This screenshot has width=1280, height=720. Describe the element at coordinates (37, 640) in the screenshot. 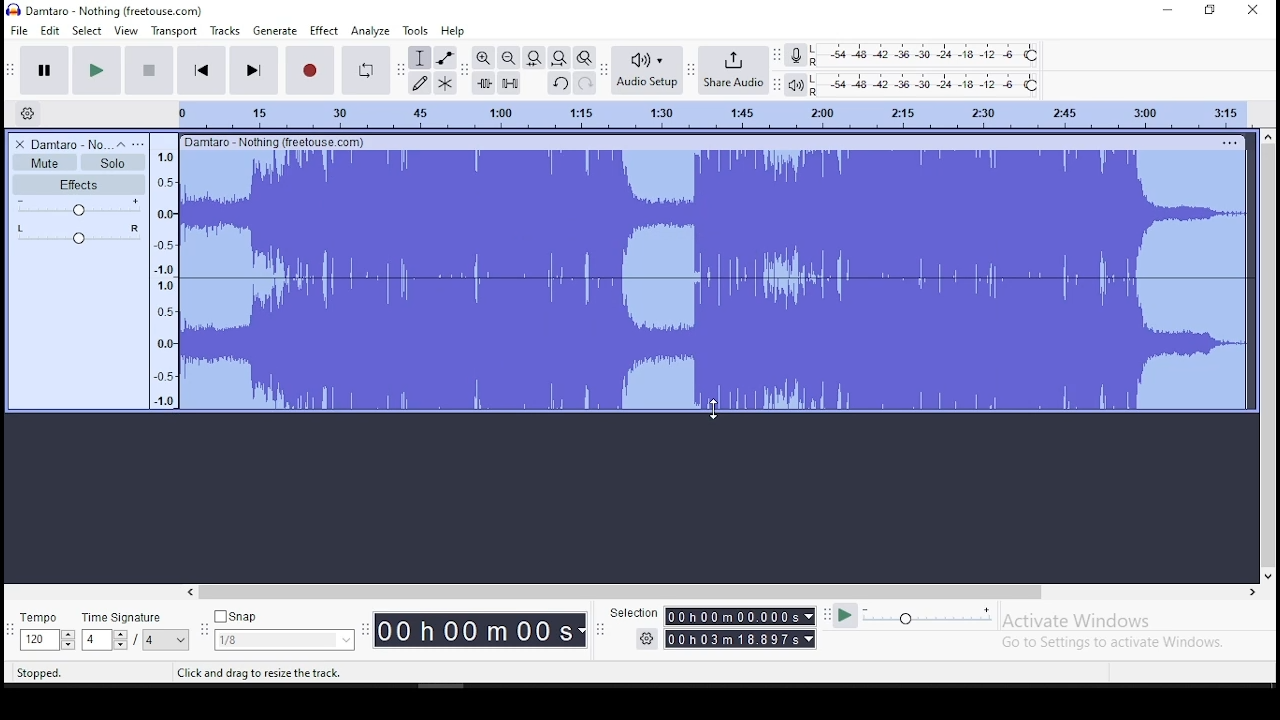

I see `120` at that location.